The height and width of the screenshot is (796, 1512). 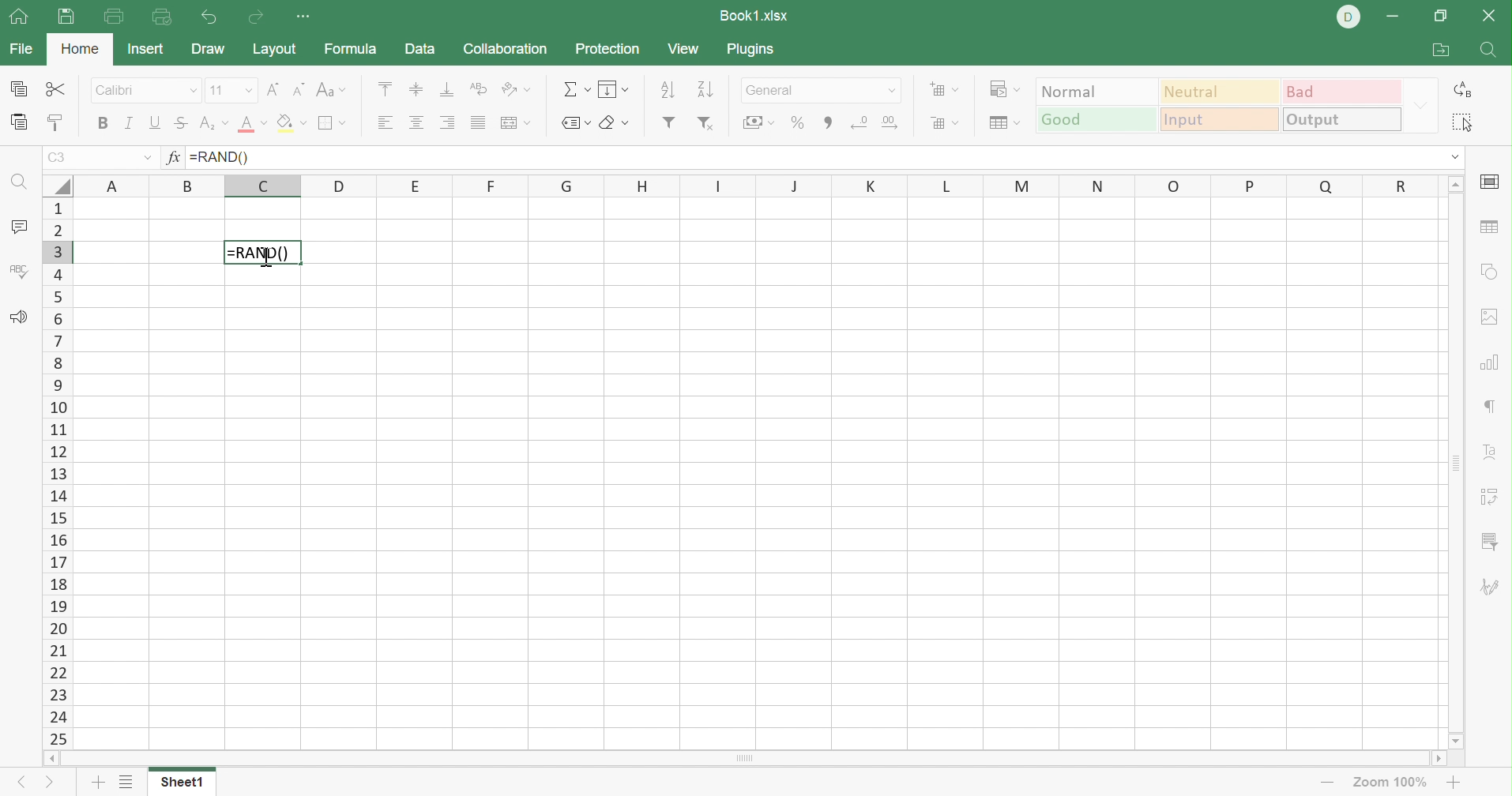 I want to click on Comments, so click(x=21, y=227).